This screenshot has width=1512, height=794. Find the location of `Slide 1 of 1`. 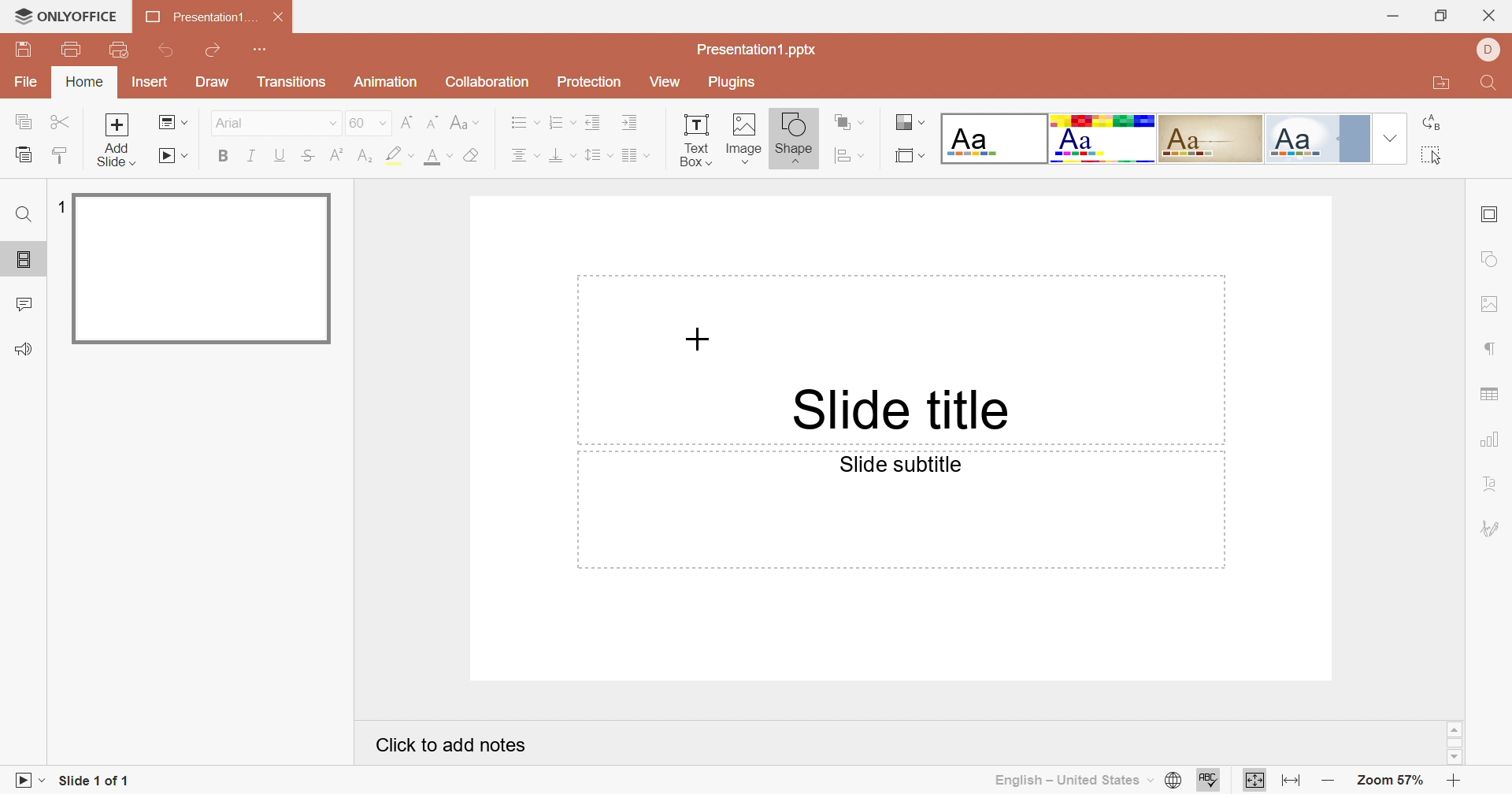

Slide 1 of 1 is located at coordinates (91, 781).